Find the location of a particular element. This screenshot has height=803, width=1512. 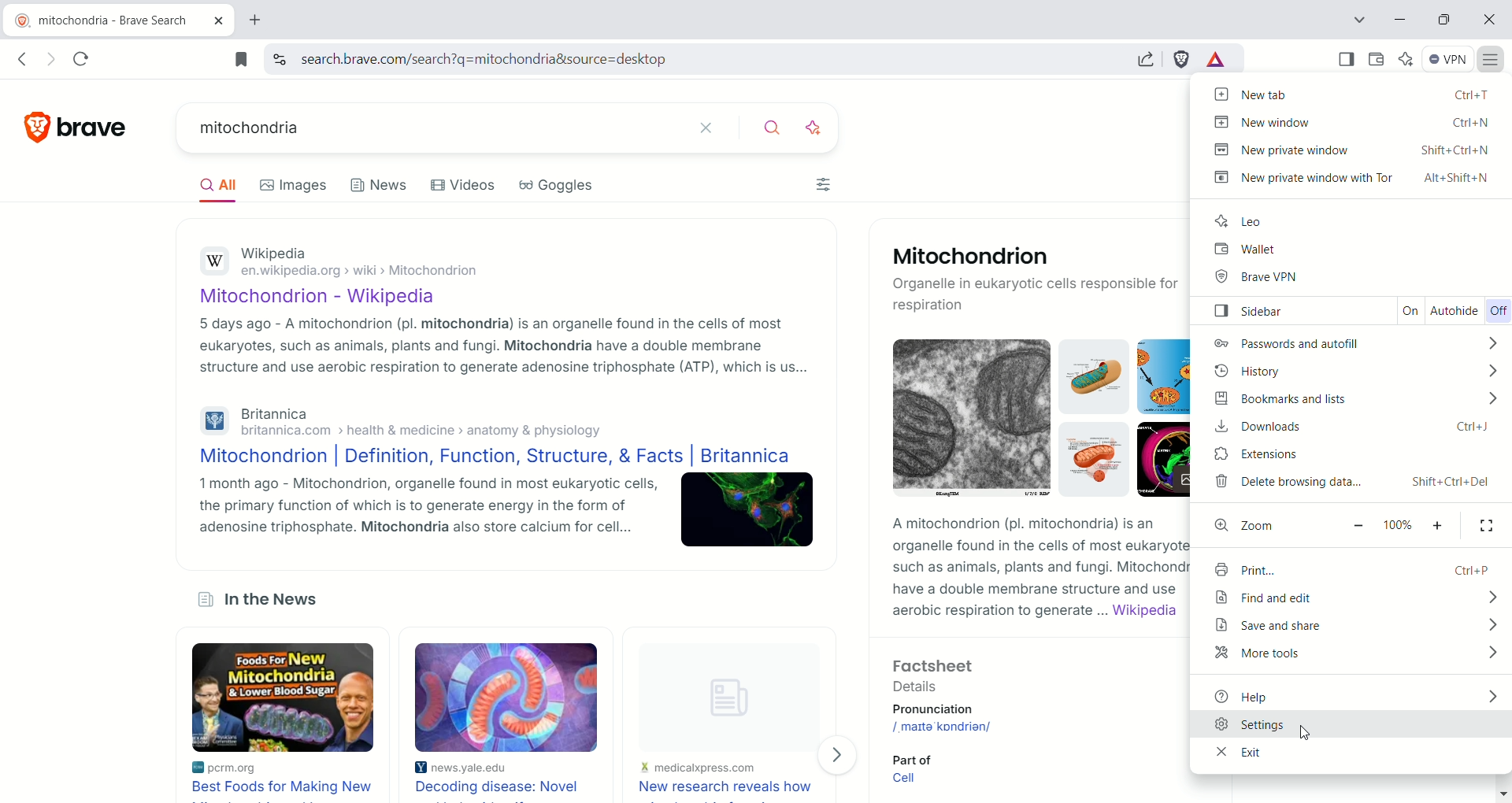

100% is located at coordinates (1401, 527).